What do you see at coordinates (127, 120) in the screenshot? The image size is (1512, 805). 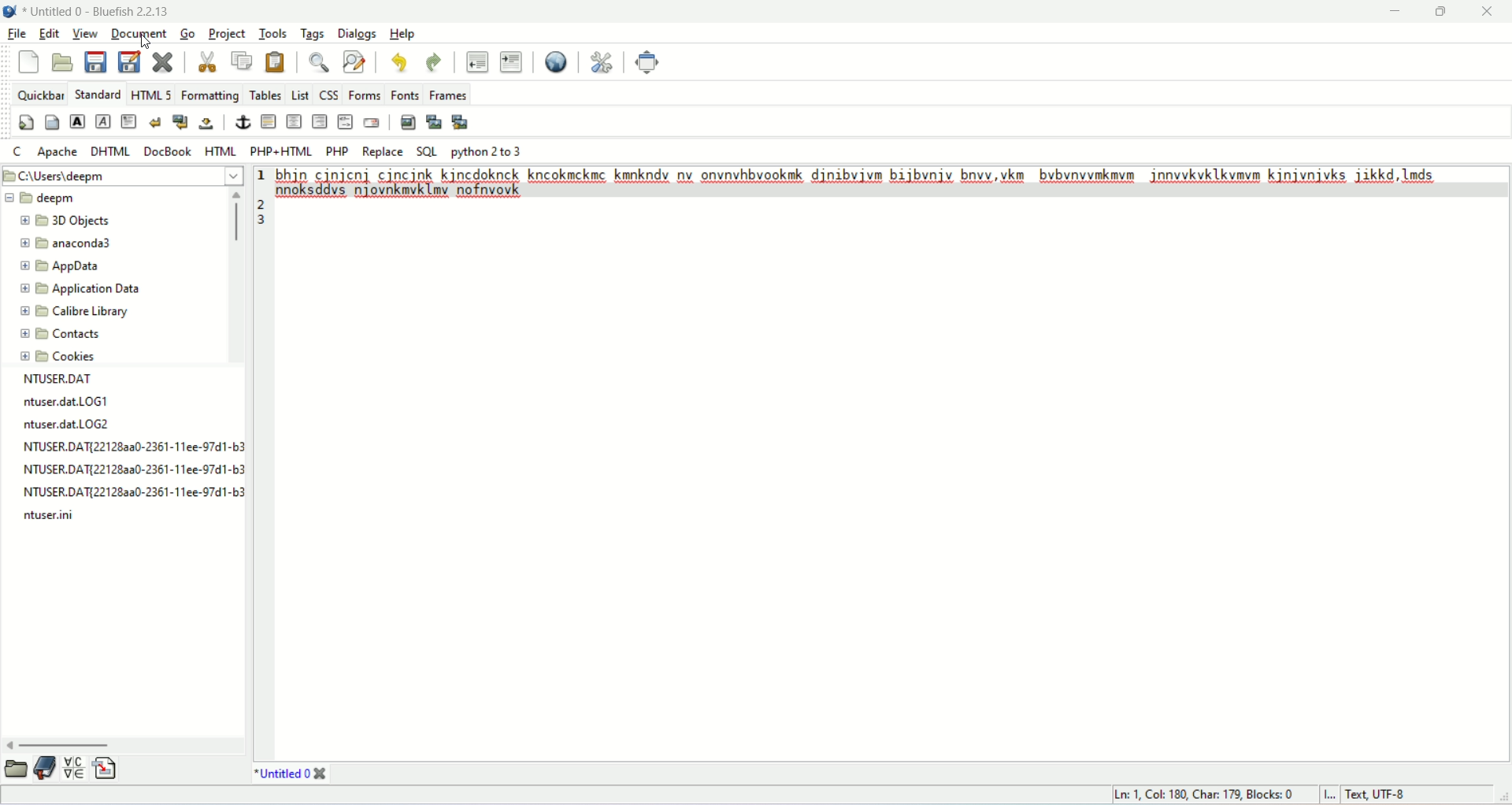 I see `paragraph` at bounding box center [127, 120].